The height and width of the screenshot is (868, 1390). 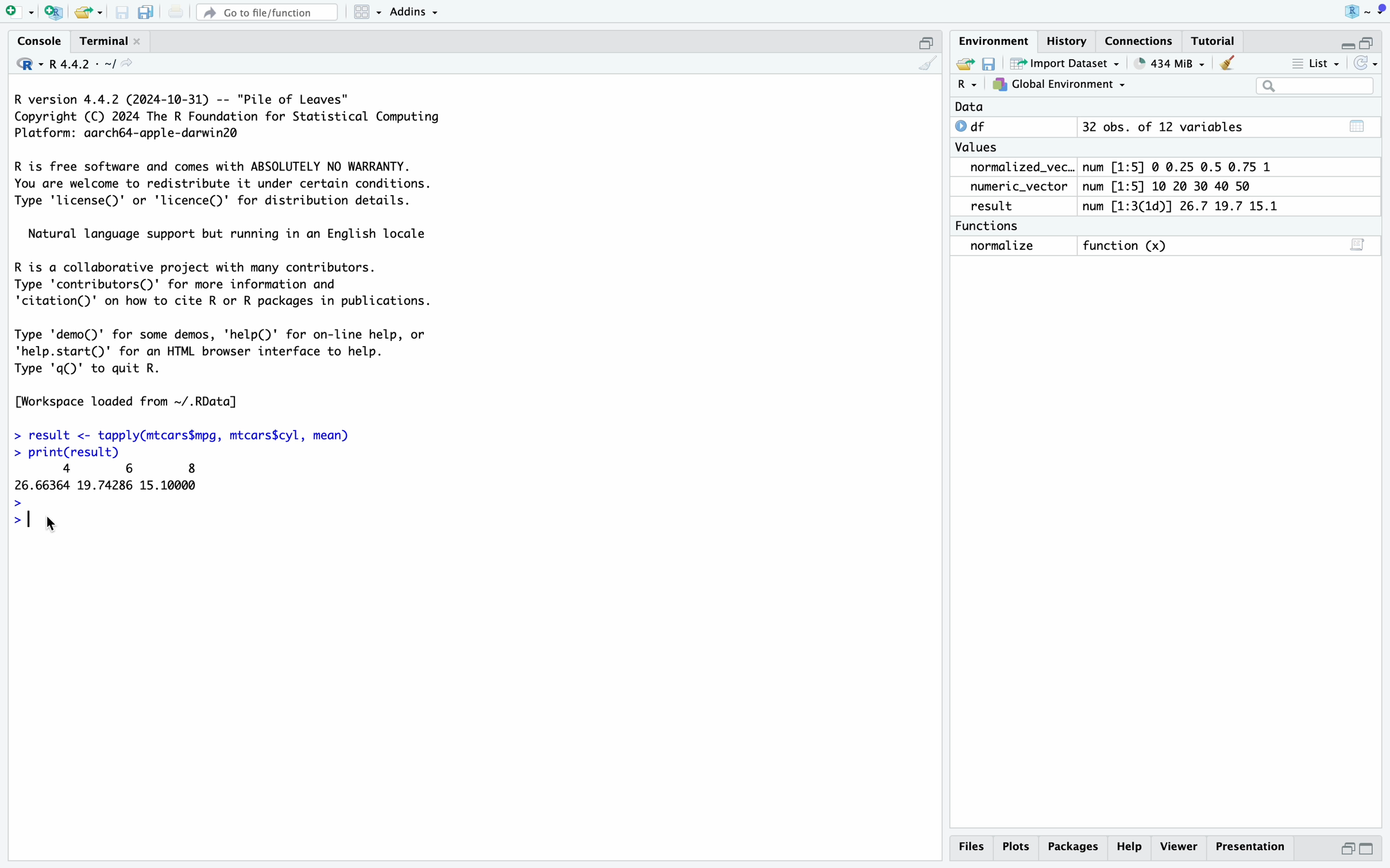 What do you see at coordinates (146, 12) in the screenshot?
I see `Save all open files` at bounding box center [146, 12].